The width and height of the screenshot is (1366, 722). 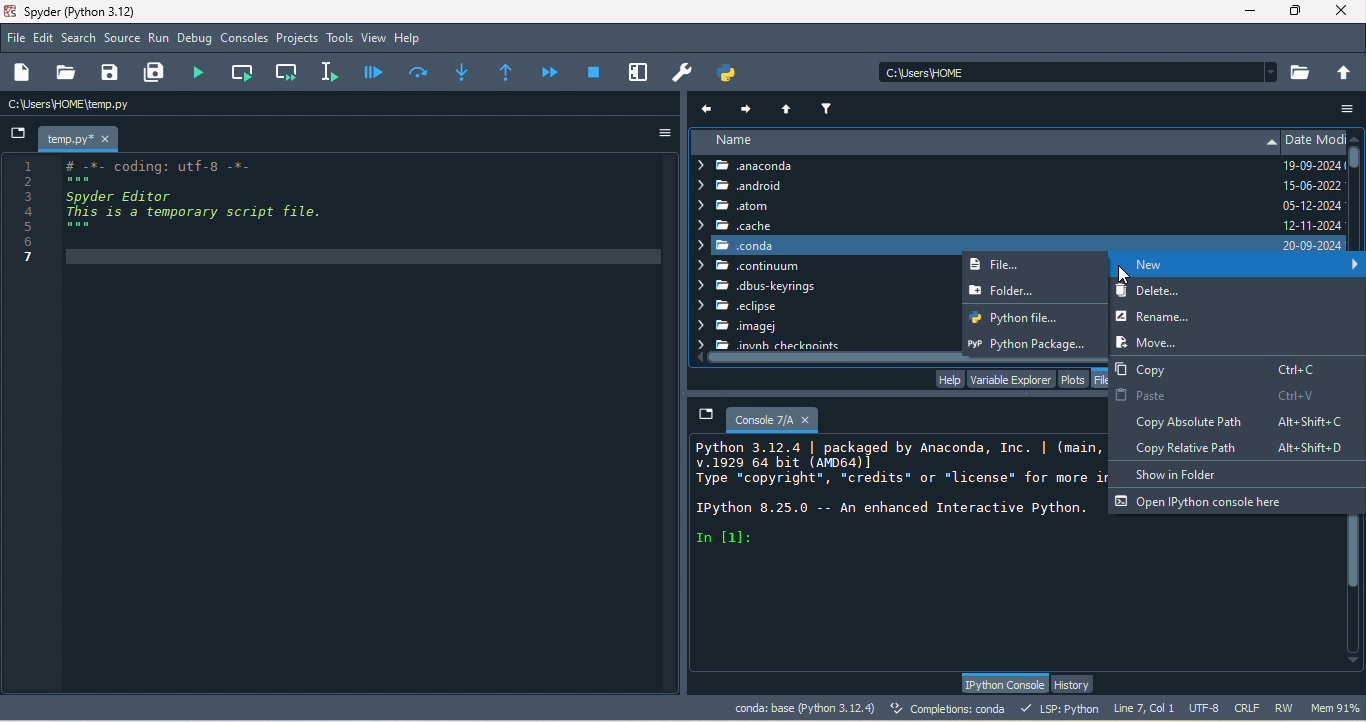 I want to click on save, so click(x=111, y=73).